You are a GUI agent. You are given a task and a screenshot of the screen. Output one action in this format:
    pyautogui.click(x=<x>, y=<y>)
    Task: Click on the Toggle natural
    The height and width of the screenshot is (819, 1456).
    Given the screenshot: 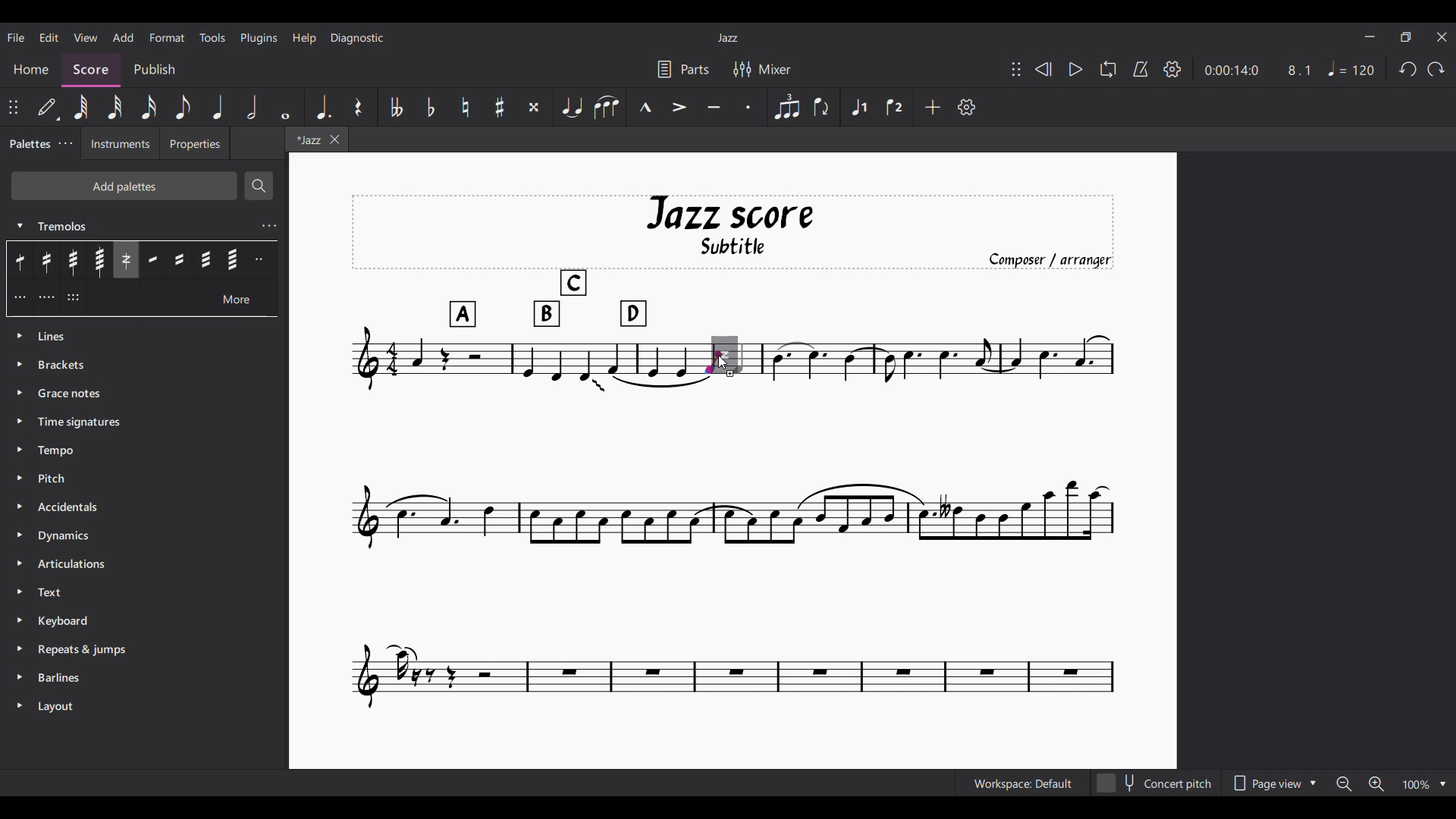 What is the action you would take?
    pyautogui.click(x=466, y=107)
    